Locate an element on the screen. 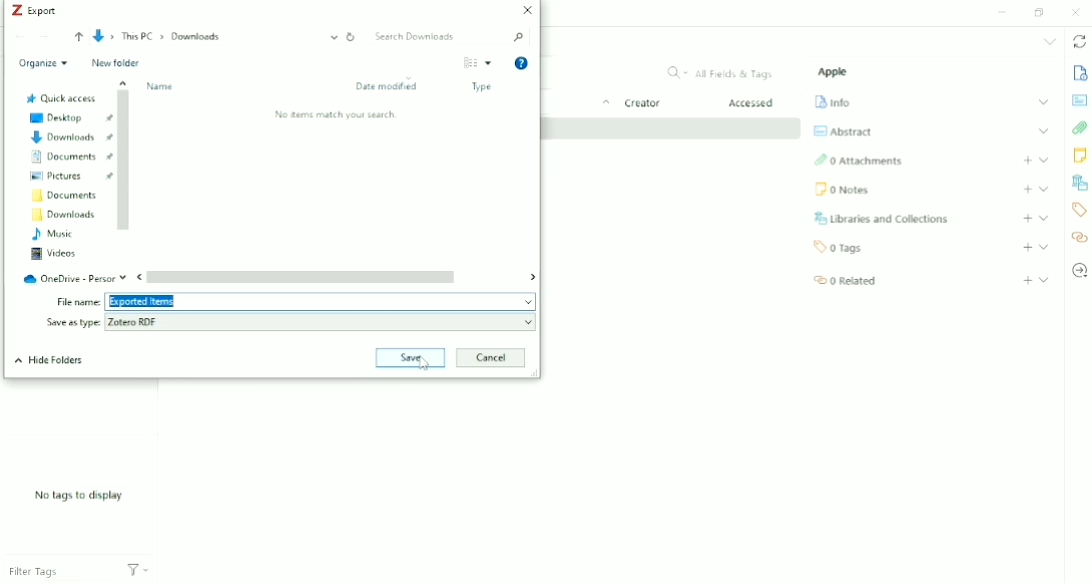 This screenshot has width=1092, height=584. New folder is located at coordinates (115, 64).